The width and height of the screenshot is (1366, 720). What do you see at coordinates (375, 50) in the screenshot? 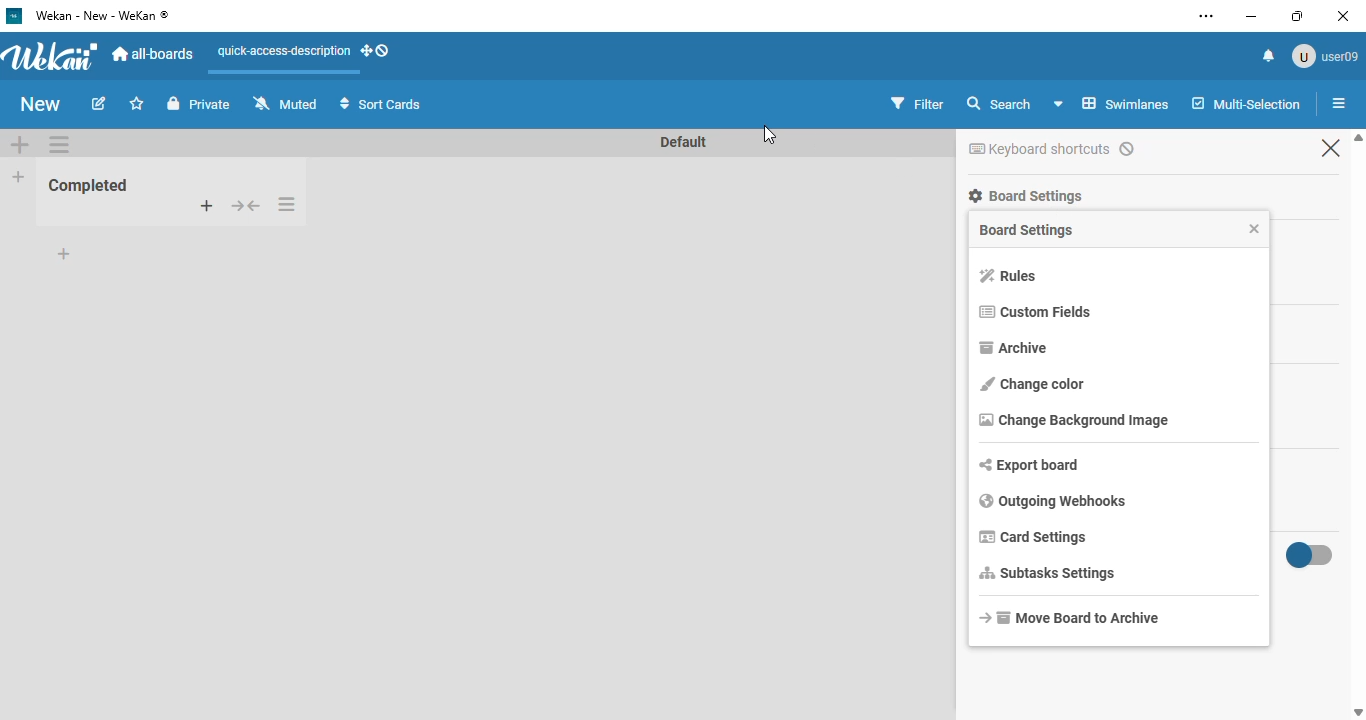
I see `show-desktop-drag-handles` at bounding box center [375, 50].